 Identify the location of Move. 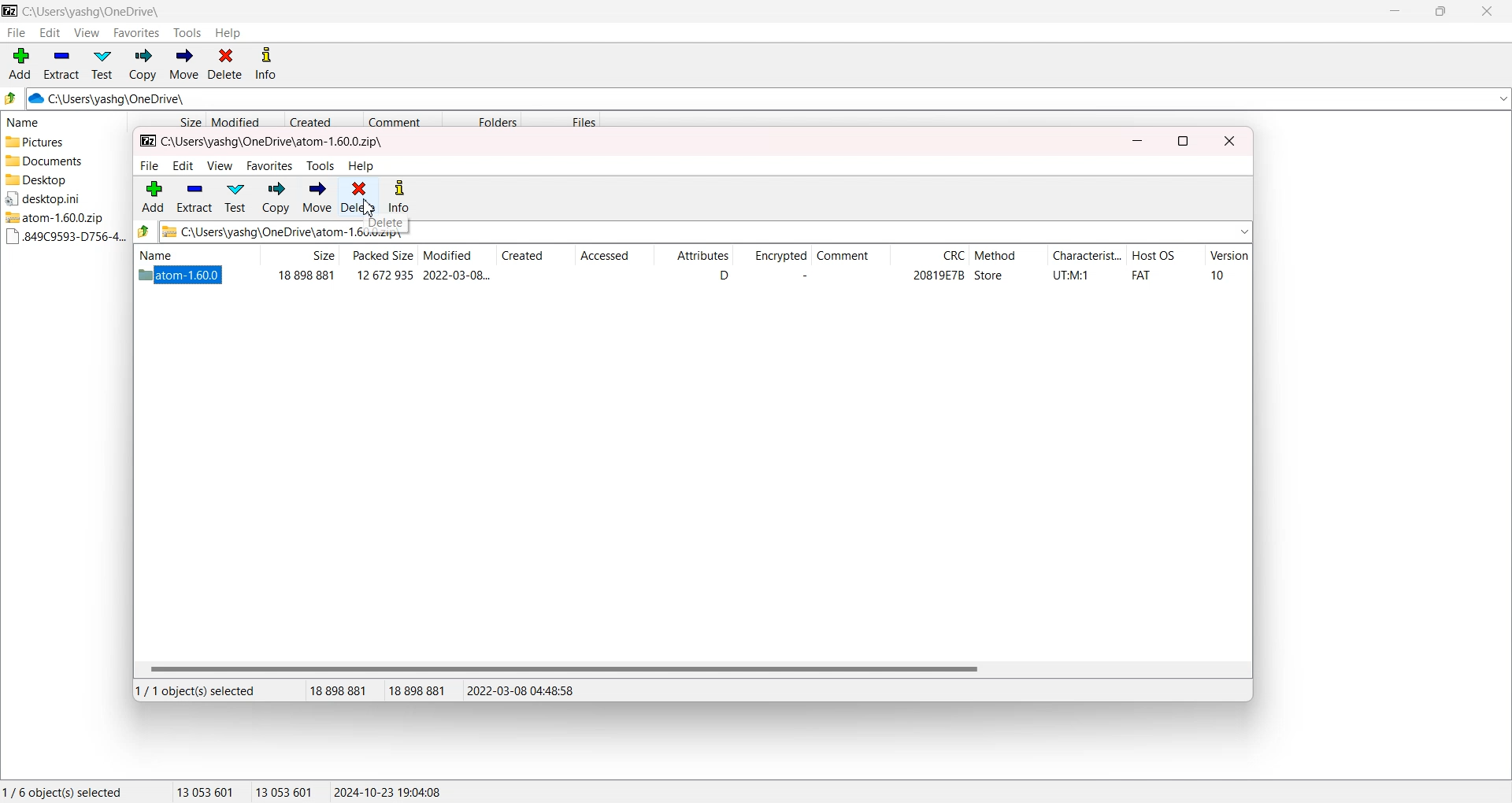
(183, 65).